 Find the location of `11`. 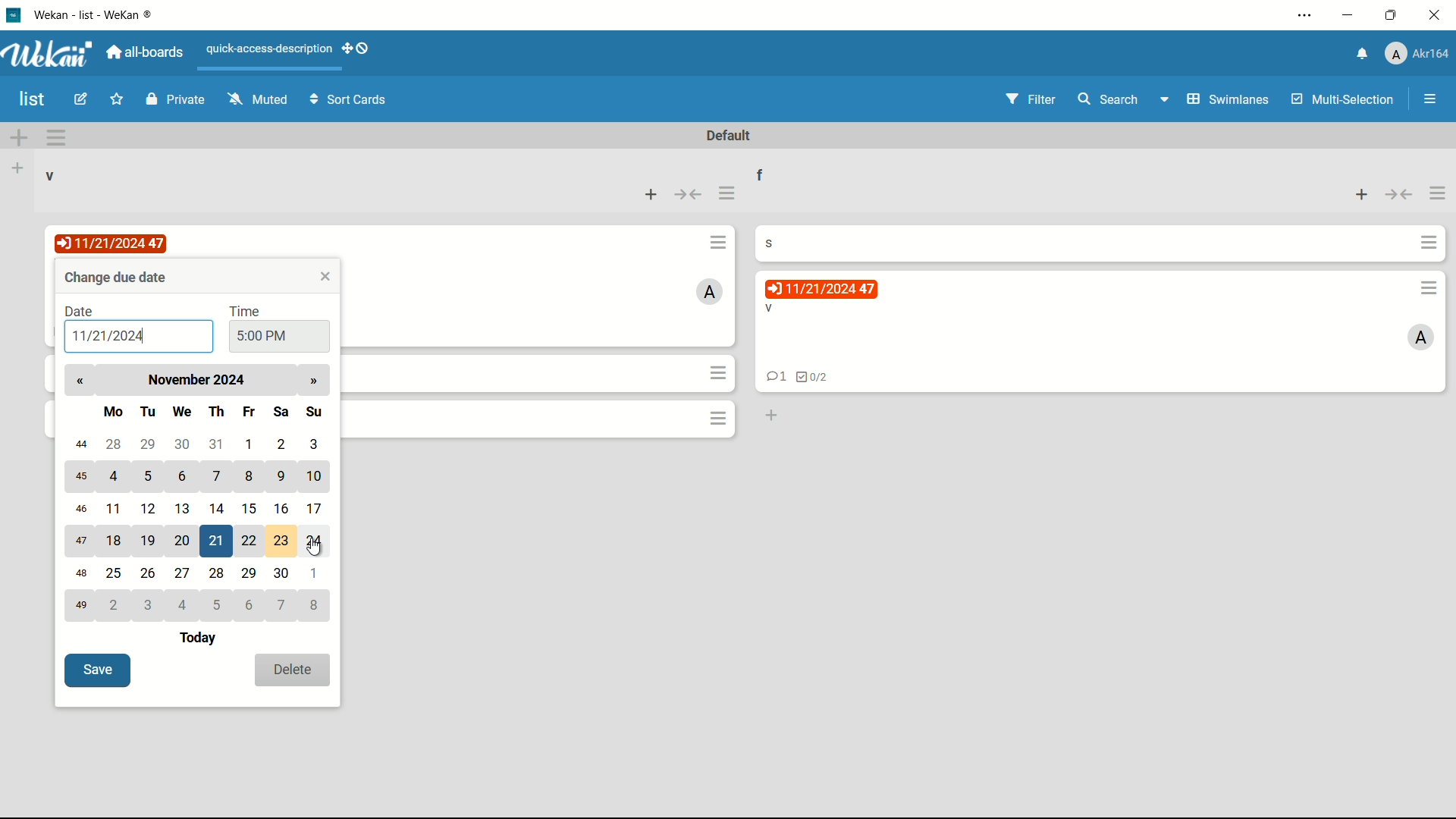

11 is located at coordinates (117, 510).